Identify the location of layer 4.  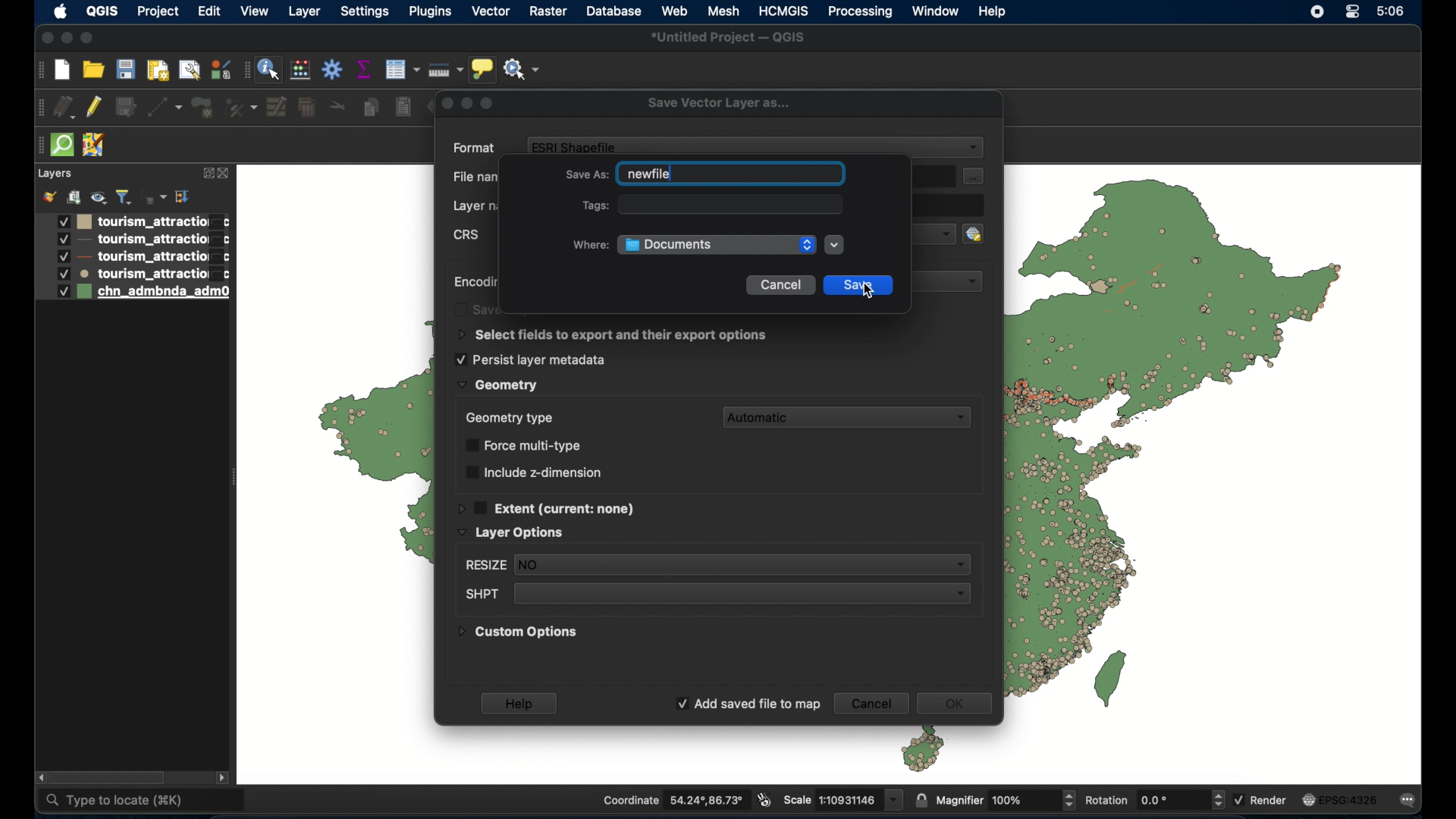
(133, 274).